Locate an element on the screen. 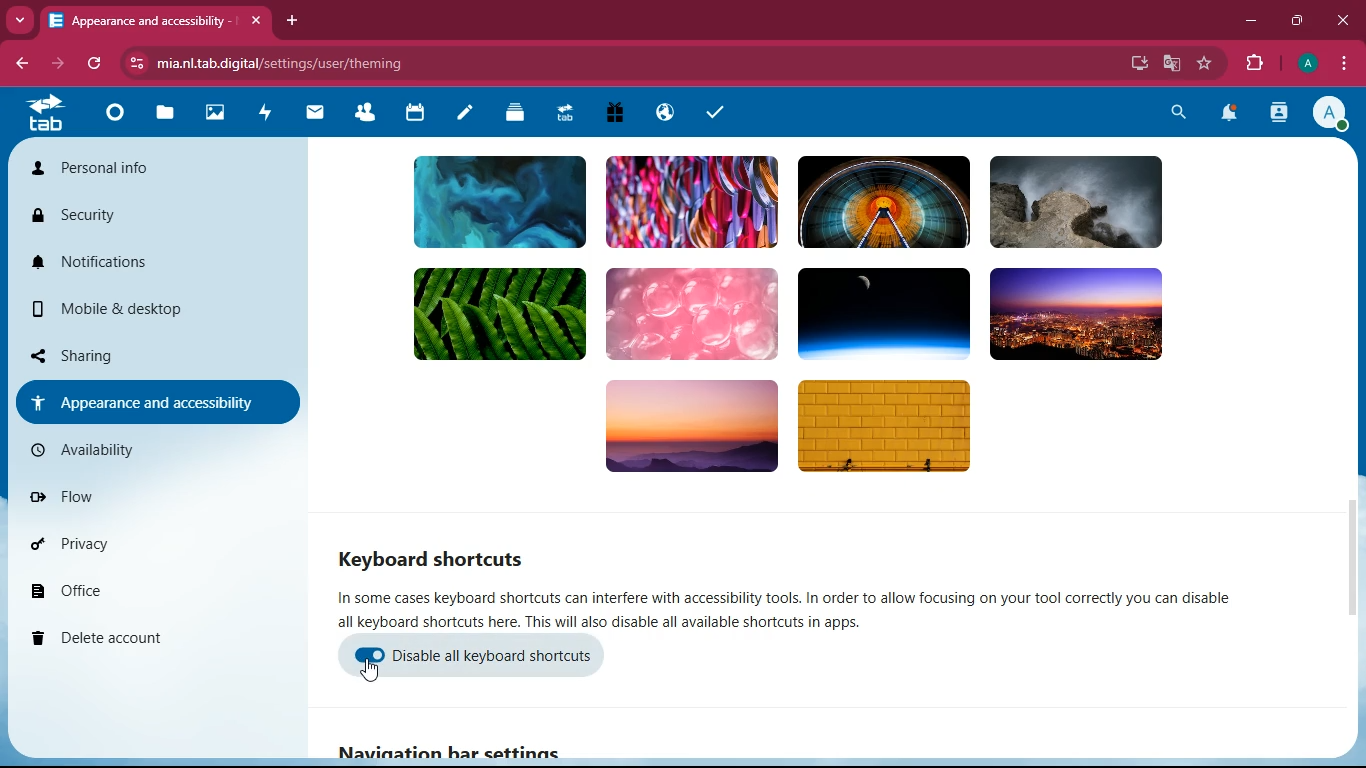 This screenshot has width=1366, height=768. activity is located at coordinates (269, 114).